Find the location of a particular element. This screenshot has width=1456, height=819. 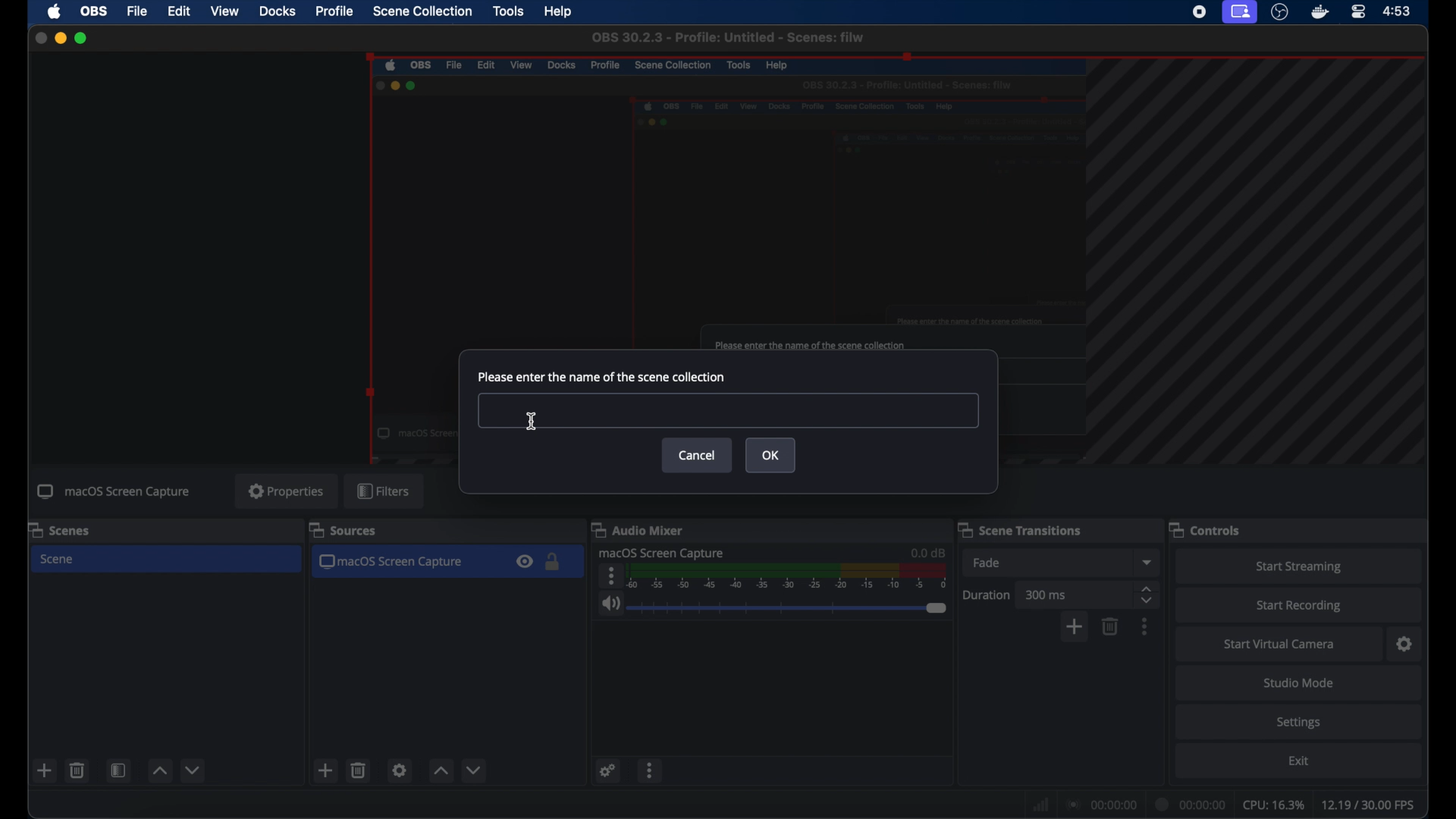

OBS 30.2.3 - Profile: Untitled -Scenes : filw is located at coordinates (727, 37).